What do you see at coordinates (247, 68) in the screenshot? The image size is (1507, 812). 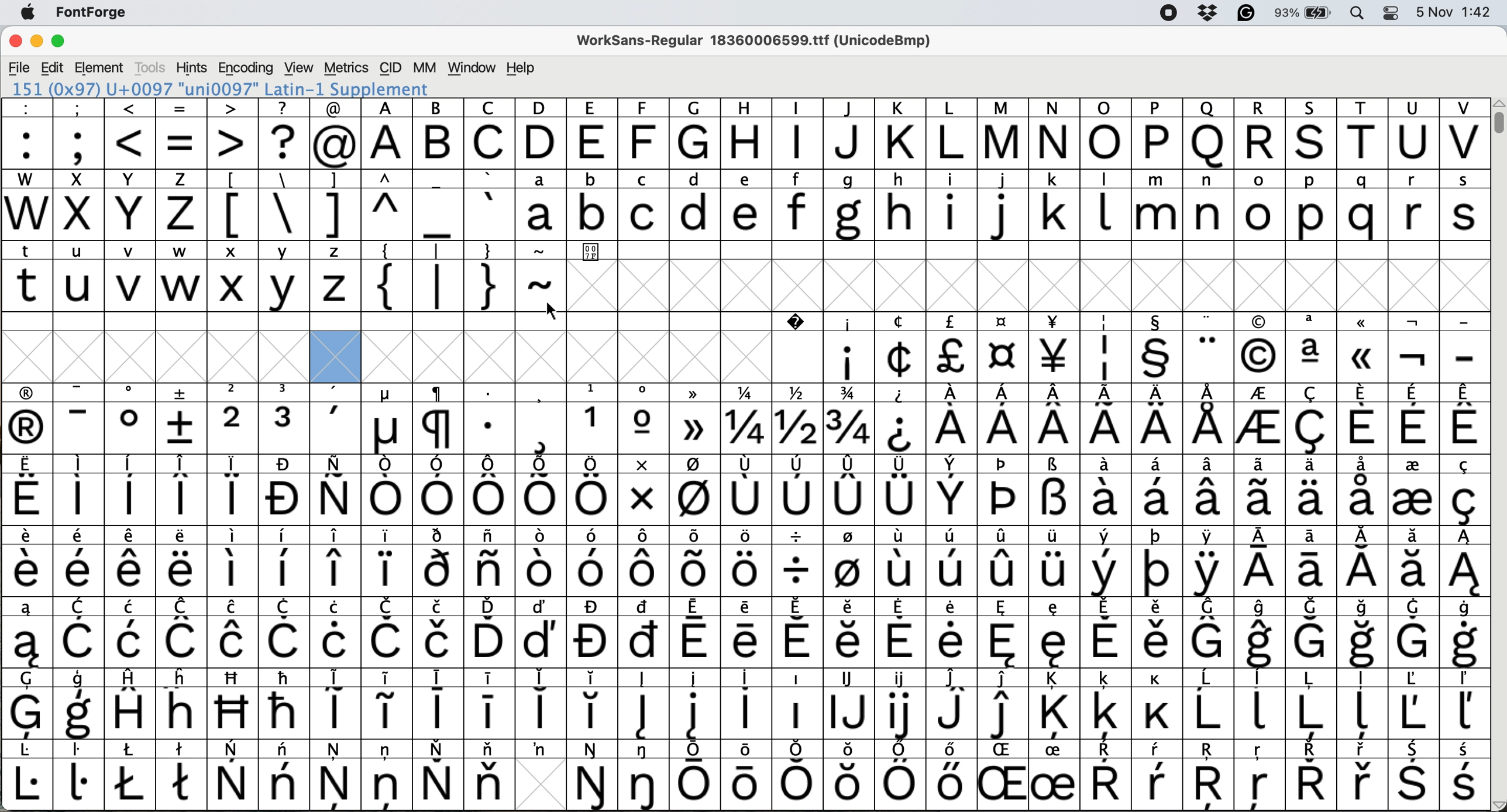 I see `encoding` at bounding box center [247, 68].